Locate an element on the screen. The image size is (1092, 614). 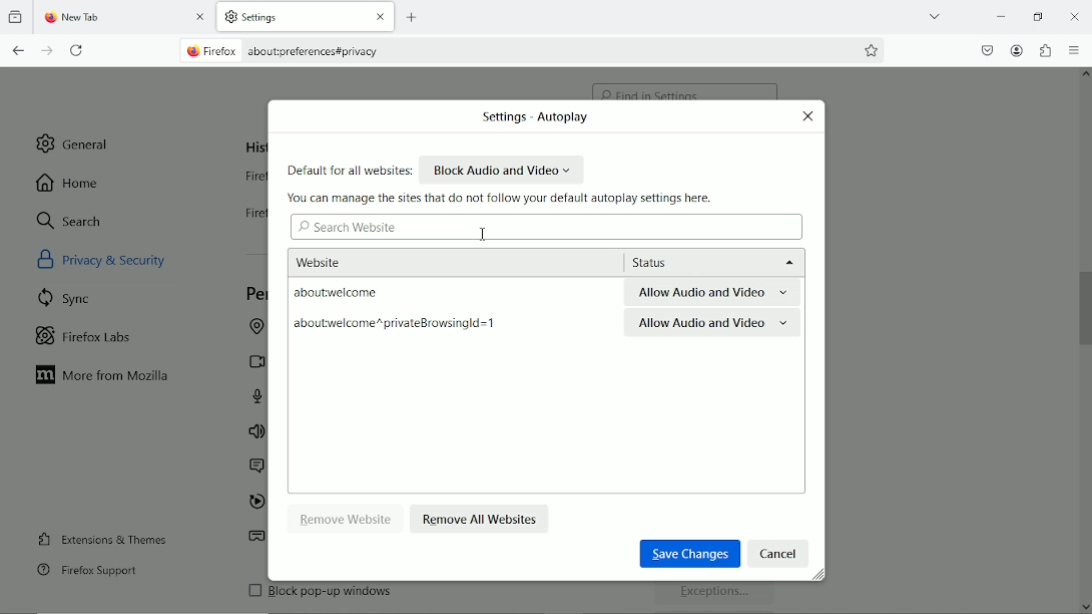
cancel is located at coordinates (779, 553).